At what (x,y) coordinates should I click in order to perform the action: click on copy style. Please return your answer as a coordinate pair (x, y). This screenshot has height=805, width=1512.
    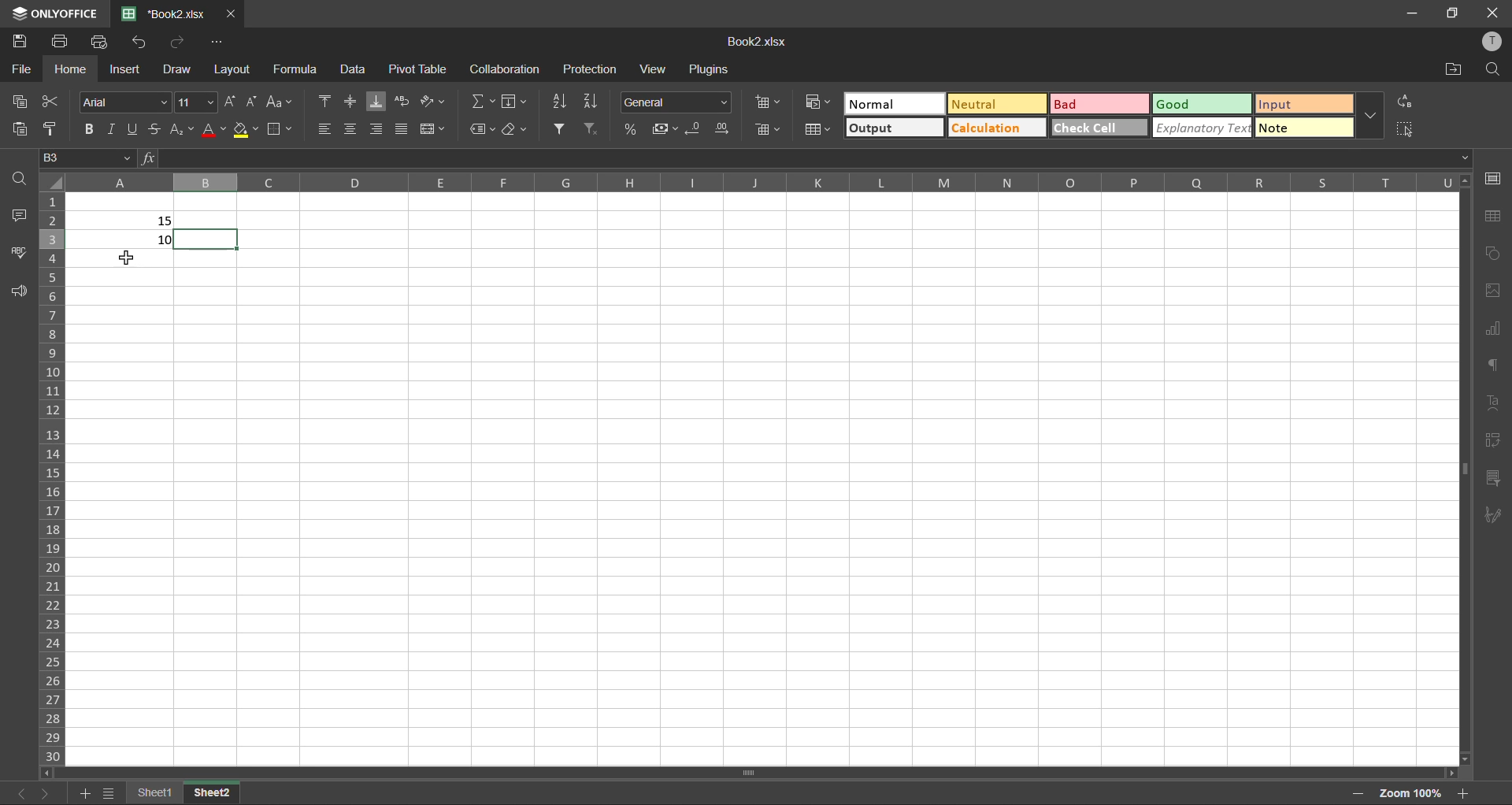
    Looking at the image, I should click on (46, 129).